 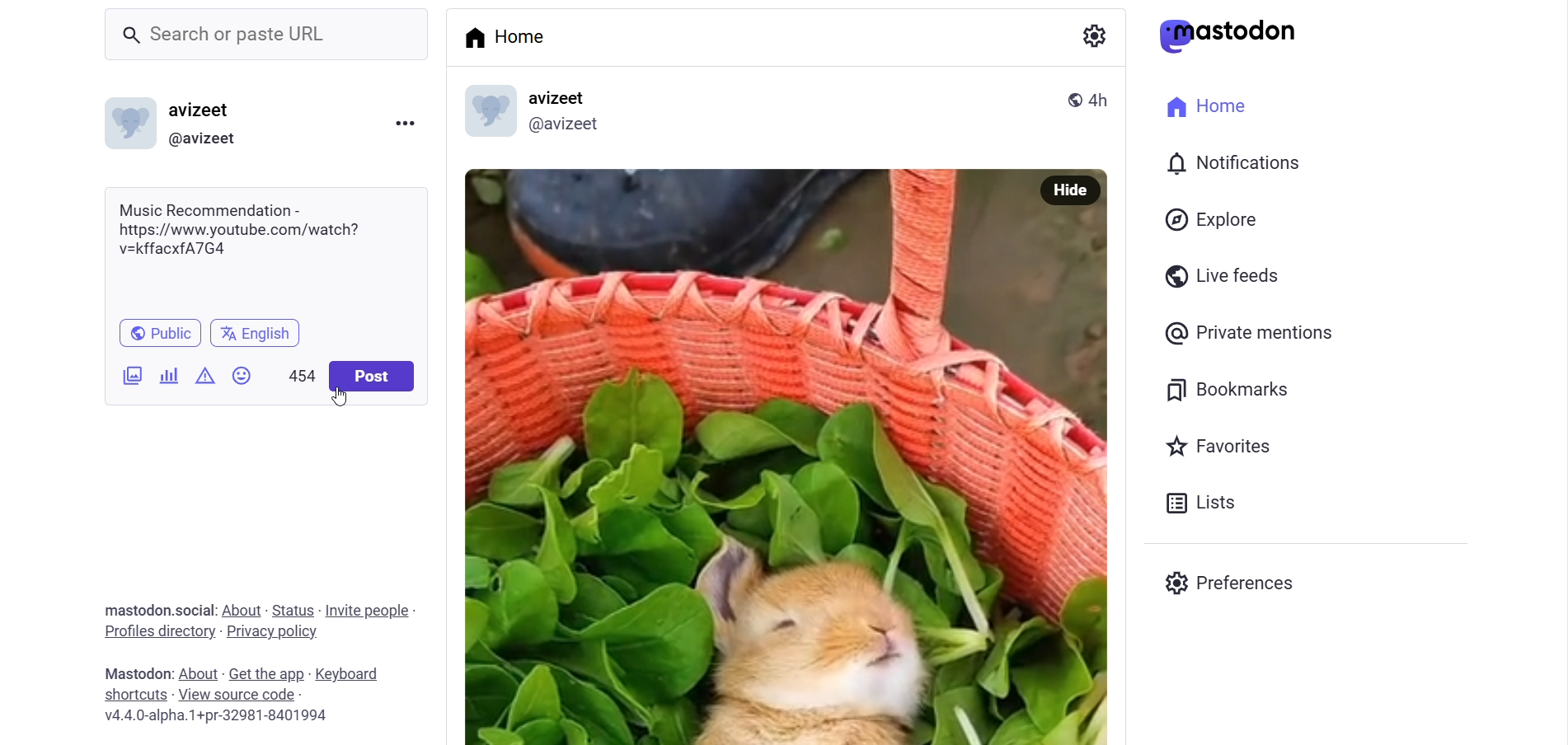 What do you see at coordinates (206, 715) in the screenshot?
I see `v4.4.0-alpha.1+pr-32981-8401994` at bounding box center [206, 715].